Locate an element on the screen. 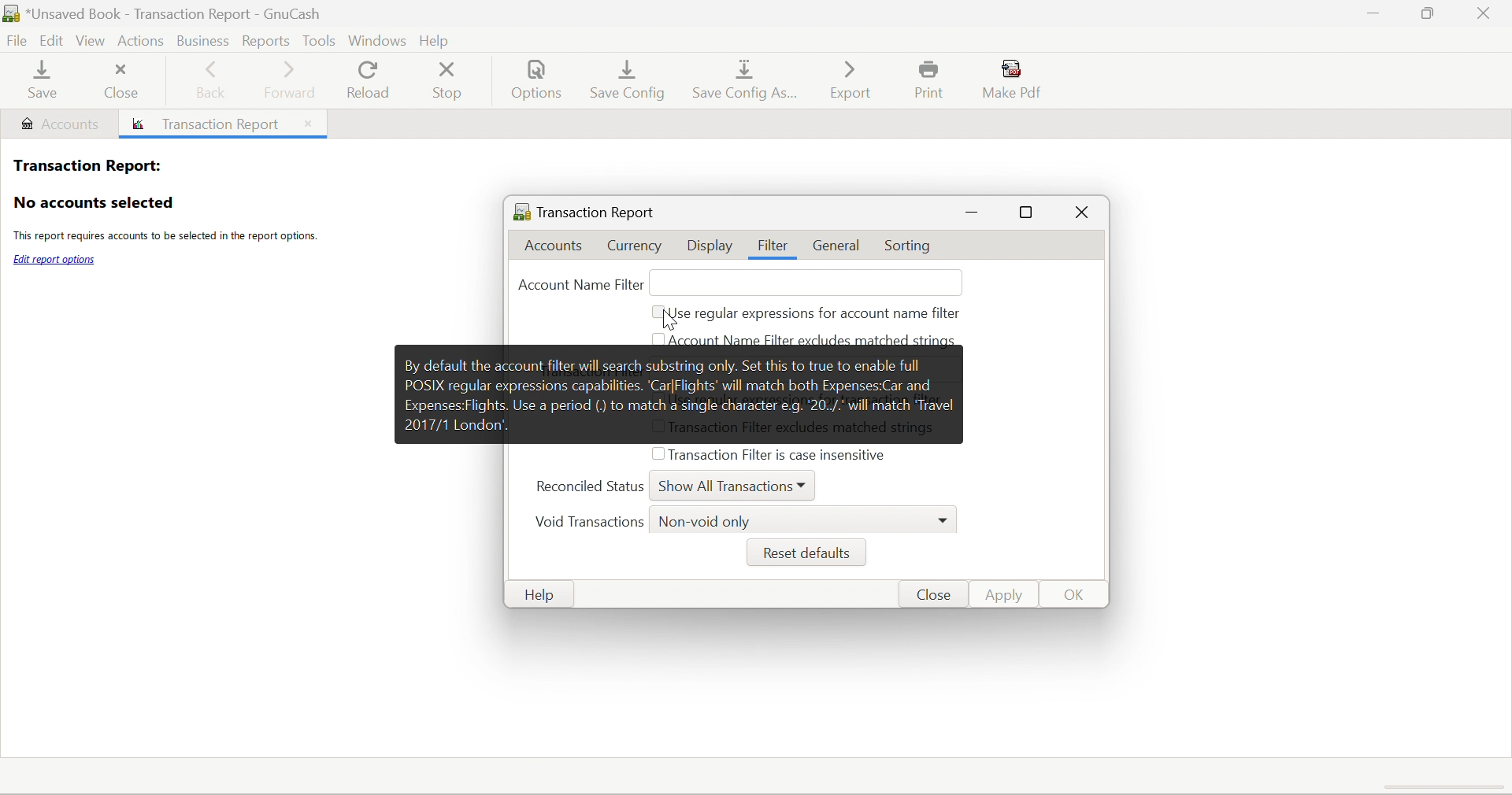 The image size is (1512, 795). Close is located at coordinates (1081, 215).